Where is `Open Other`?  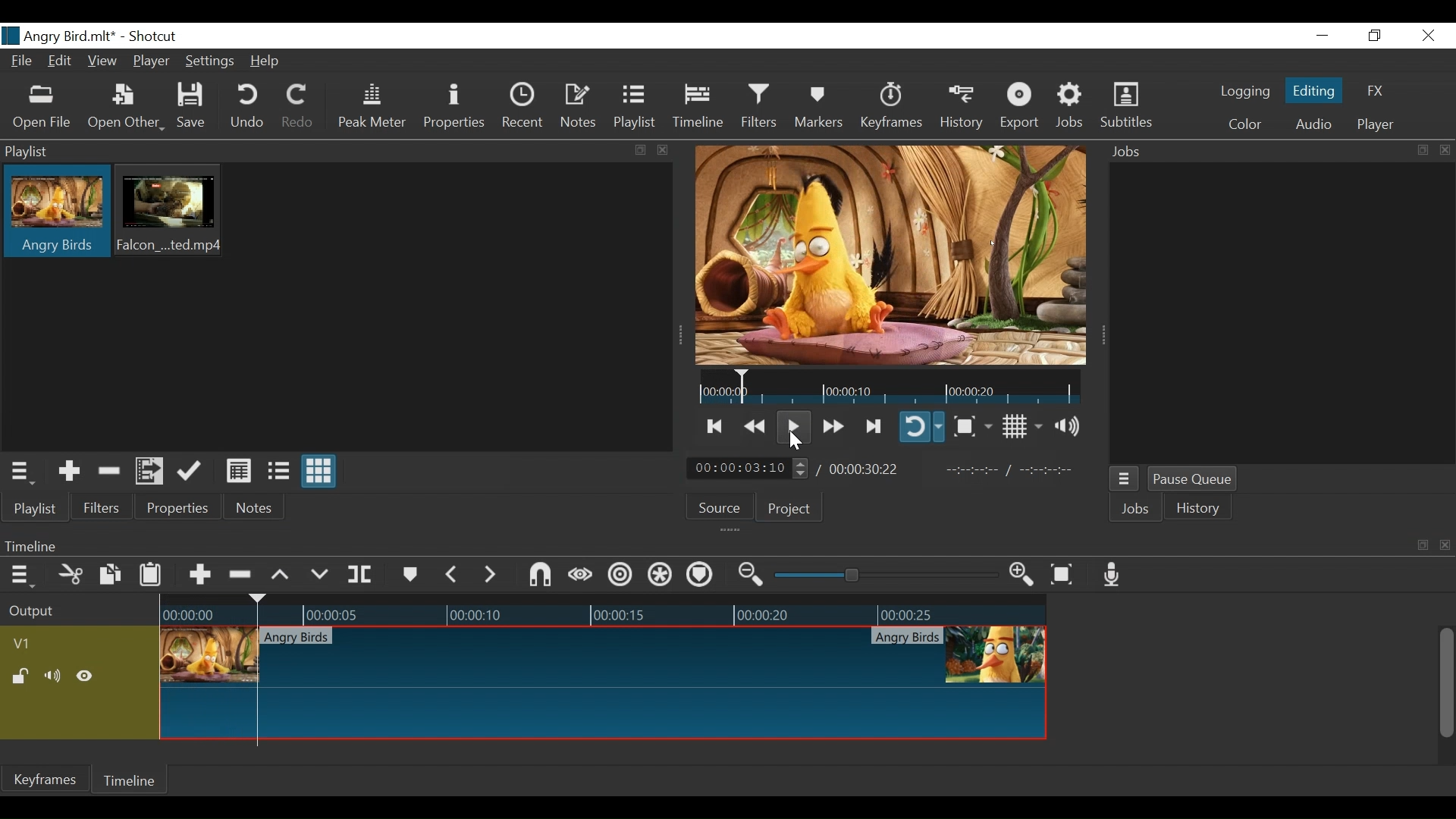
Open Other is located at coordinates (127, 106).